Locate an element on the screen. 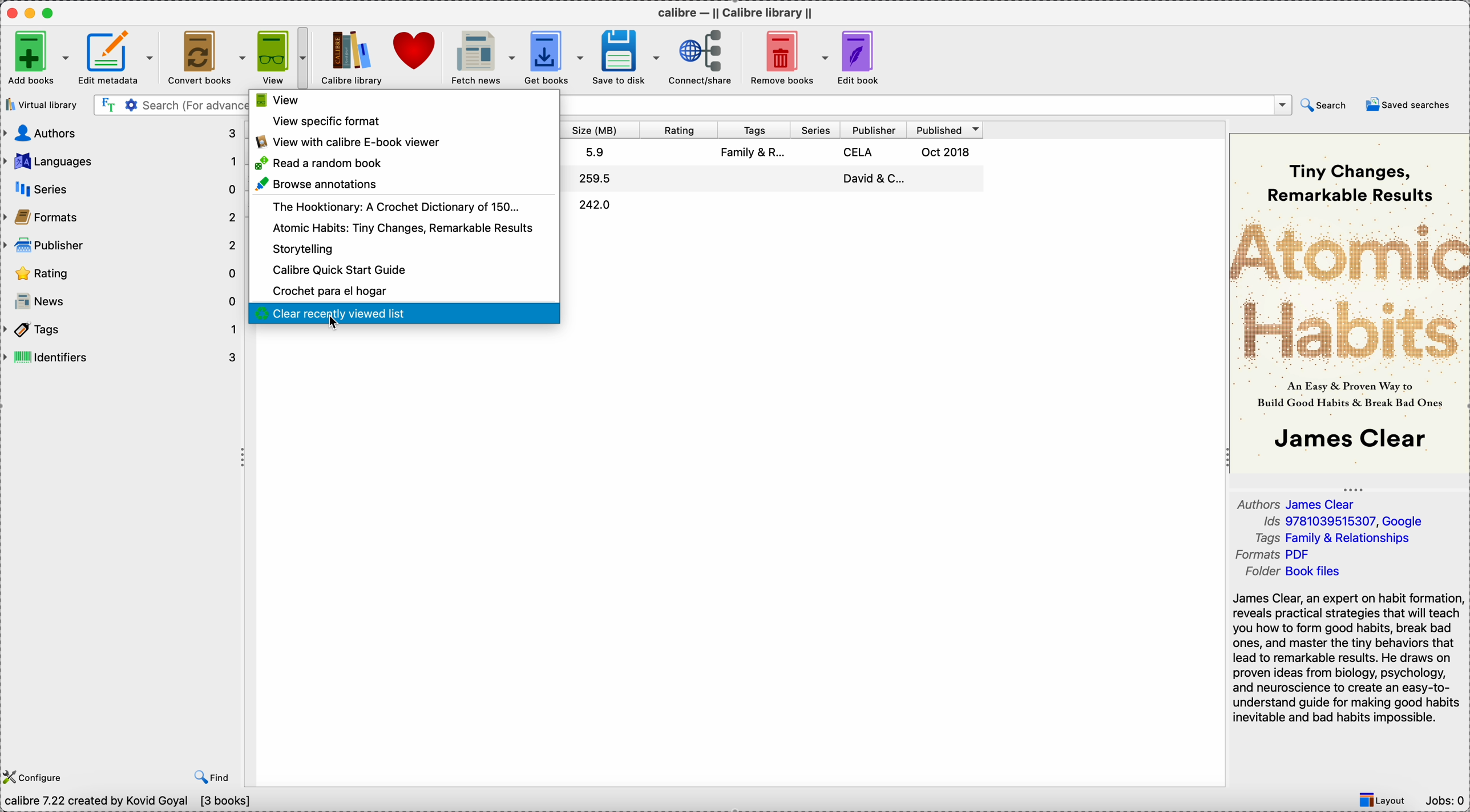 The width and height of the screenshot is (1470, 812). Folder Book files is located at coordinates (1291, 572).